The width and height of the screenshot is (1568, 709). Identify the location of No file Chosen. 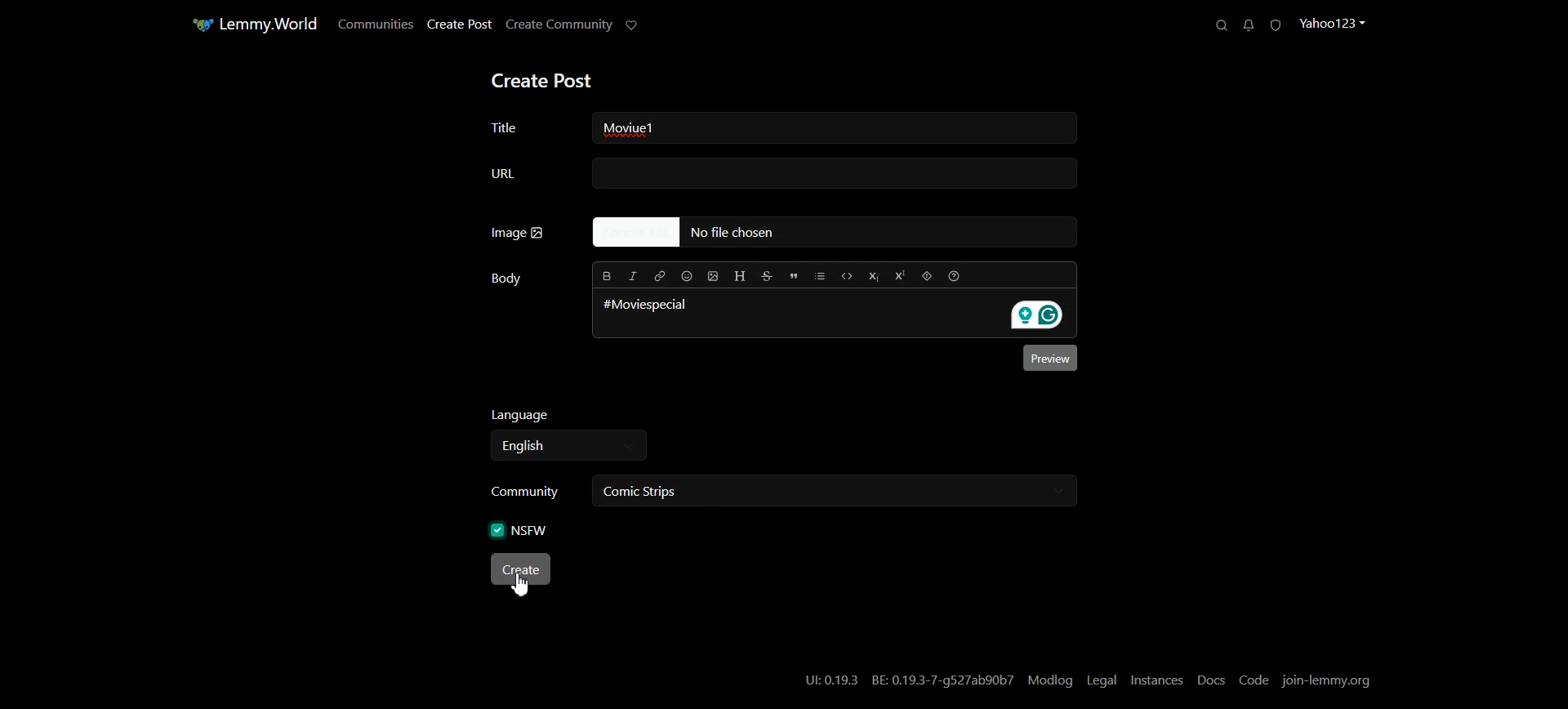
(825, 233).